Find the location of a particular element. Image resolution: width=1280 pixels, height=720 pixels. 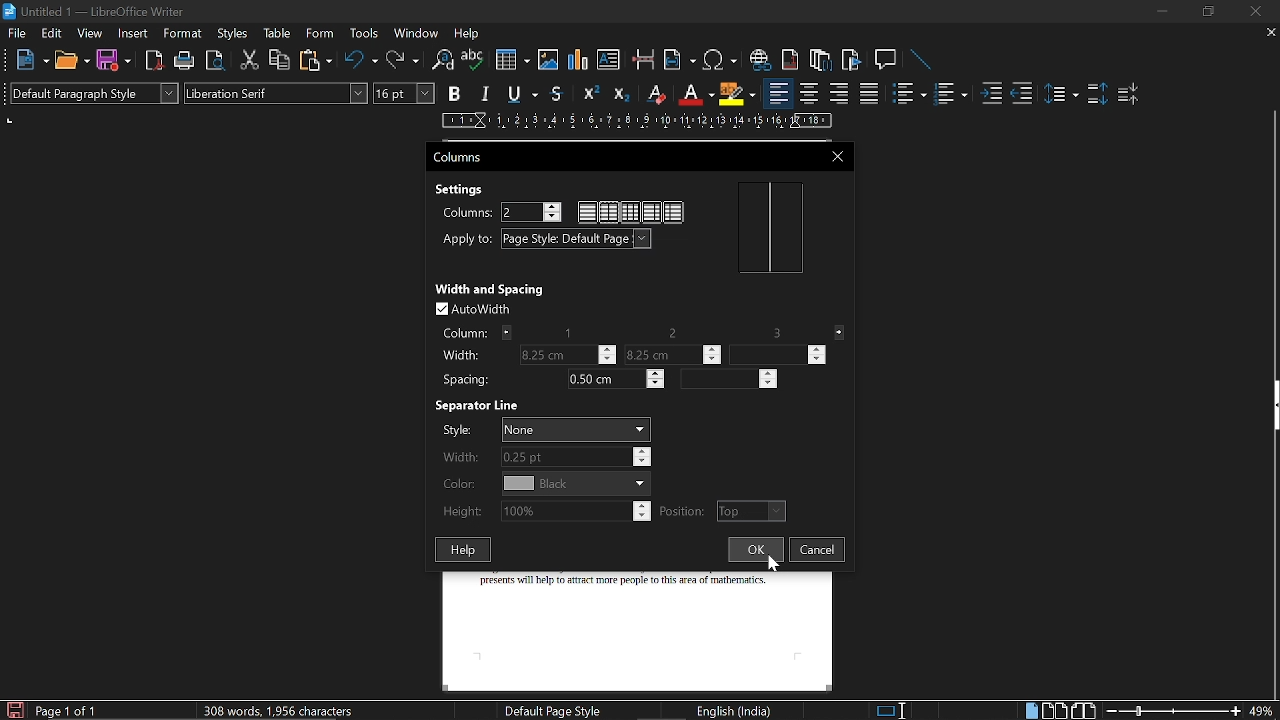

Default Page style is located at coordinates (554, 710).